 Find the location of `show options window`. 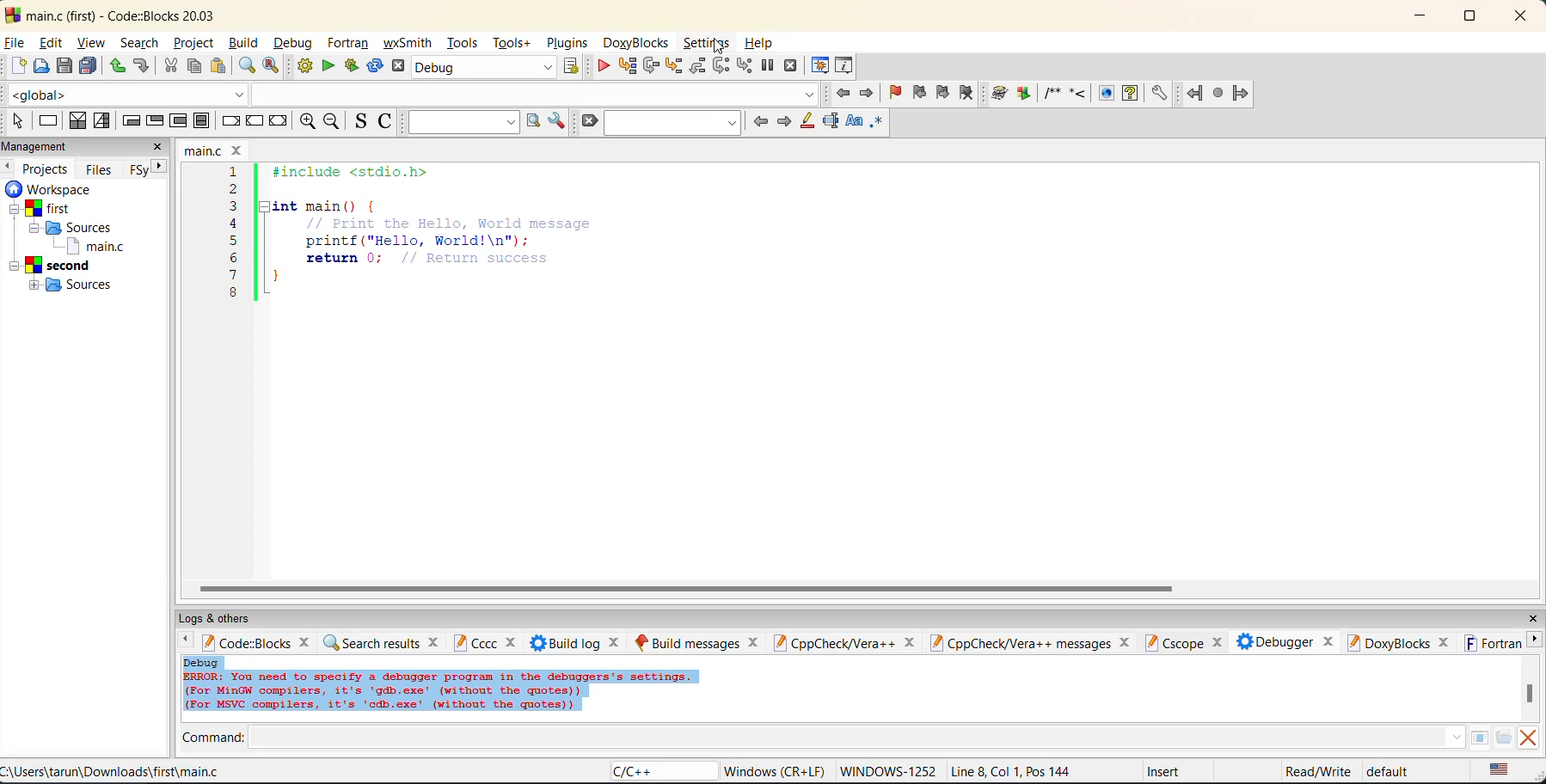

show options window is located at coordinates (561, 124).